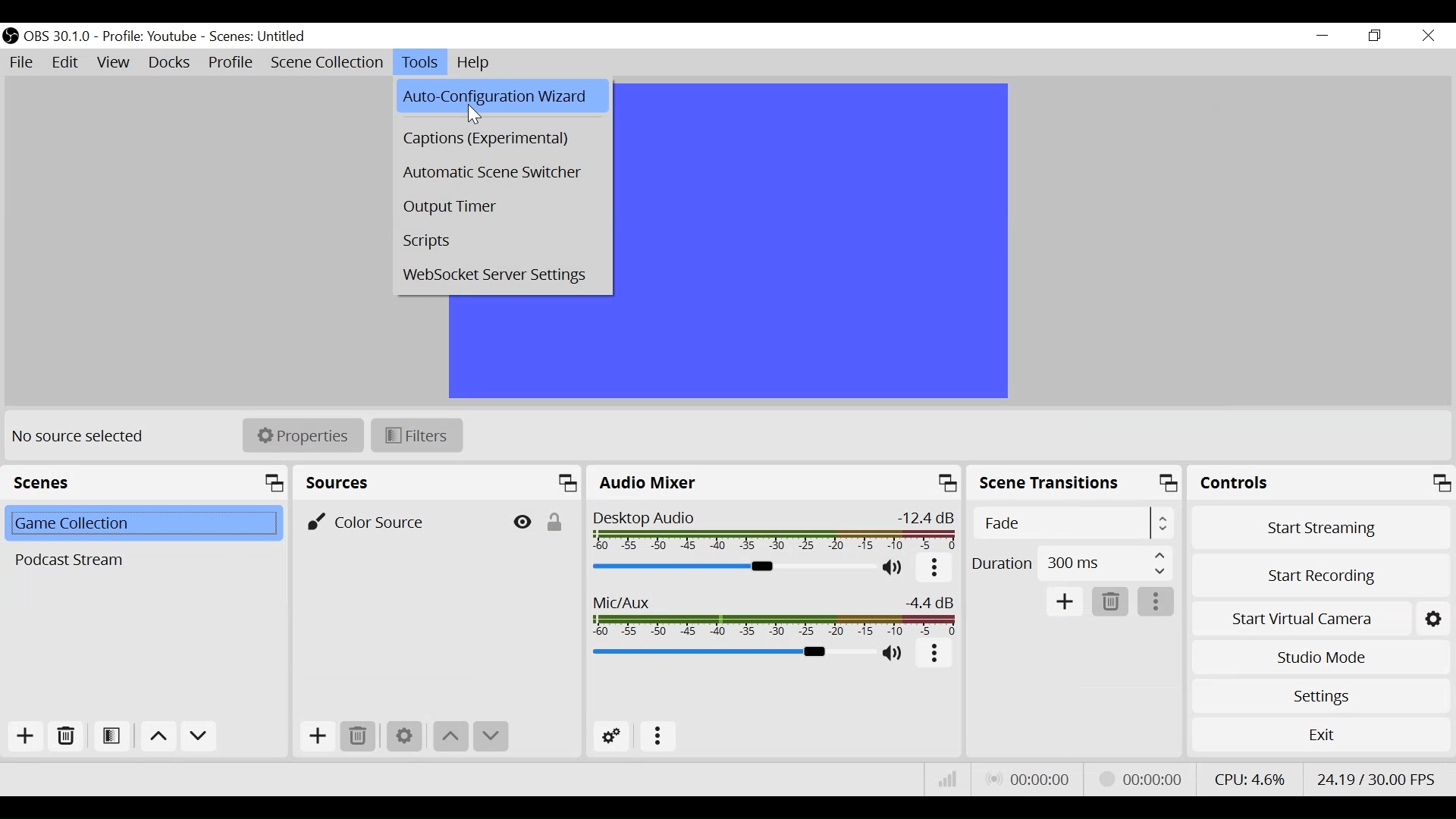  I want to click on Mic Slider, so click(730, 653).